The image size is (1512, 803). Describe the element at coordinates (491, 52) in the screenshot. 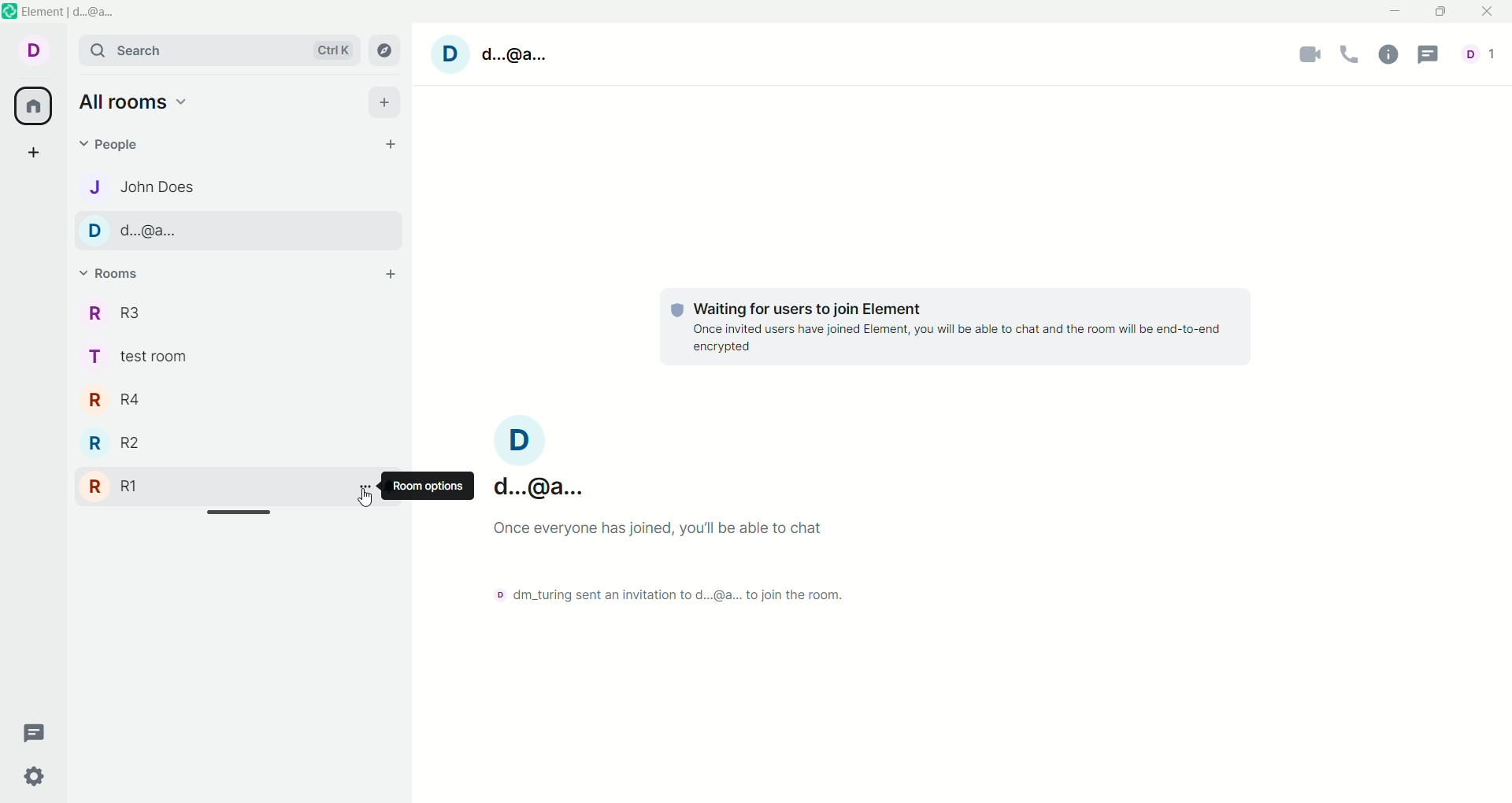

I see `D d.@a.` at that location.